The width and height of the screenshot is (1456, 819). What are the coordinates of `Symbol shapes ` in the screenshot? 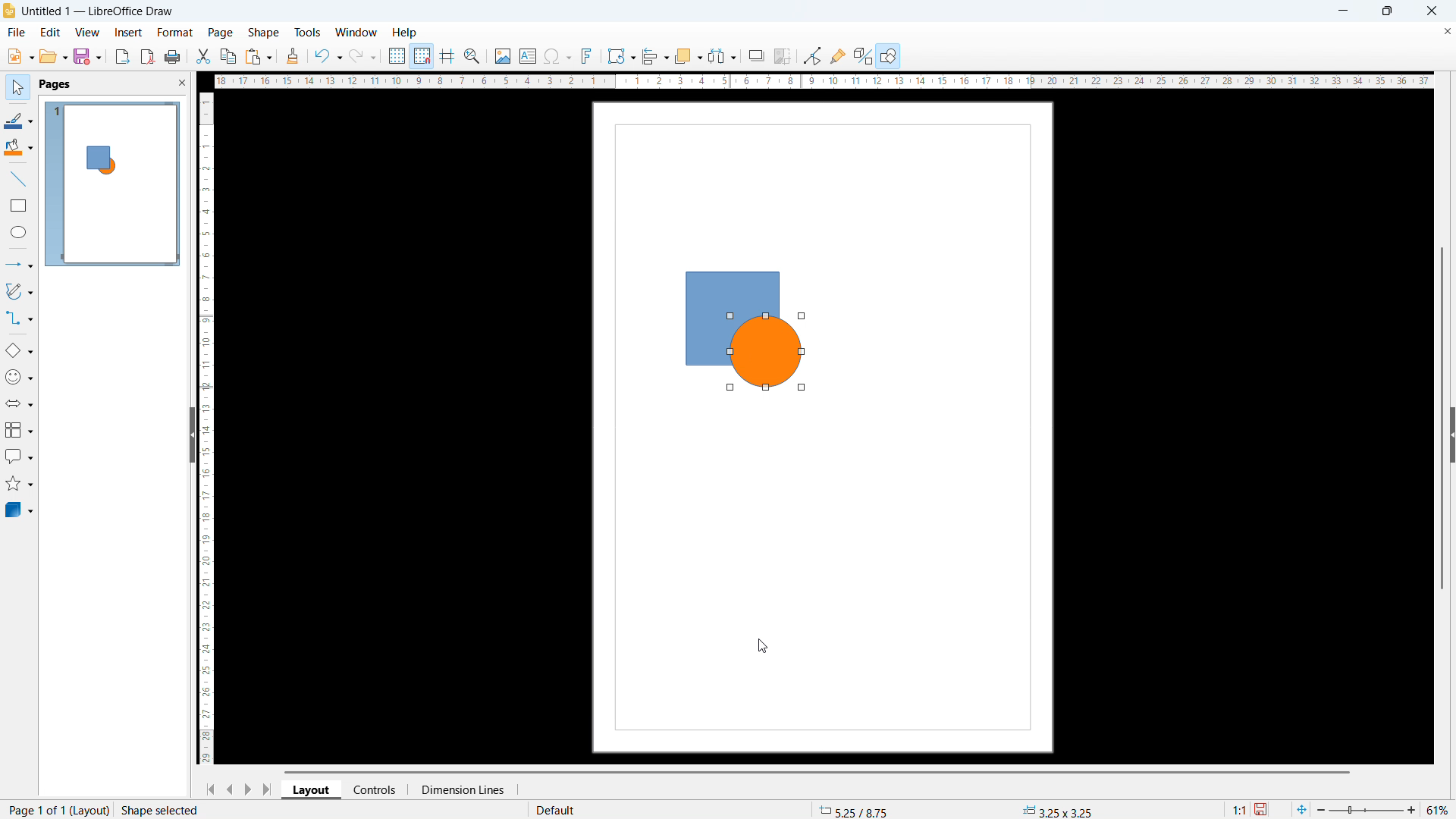 It's located at (20, 375).